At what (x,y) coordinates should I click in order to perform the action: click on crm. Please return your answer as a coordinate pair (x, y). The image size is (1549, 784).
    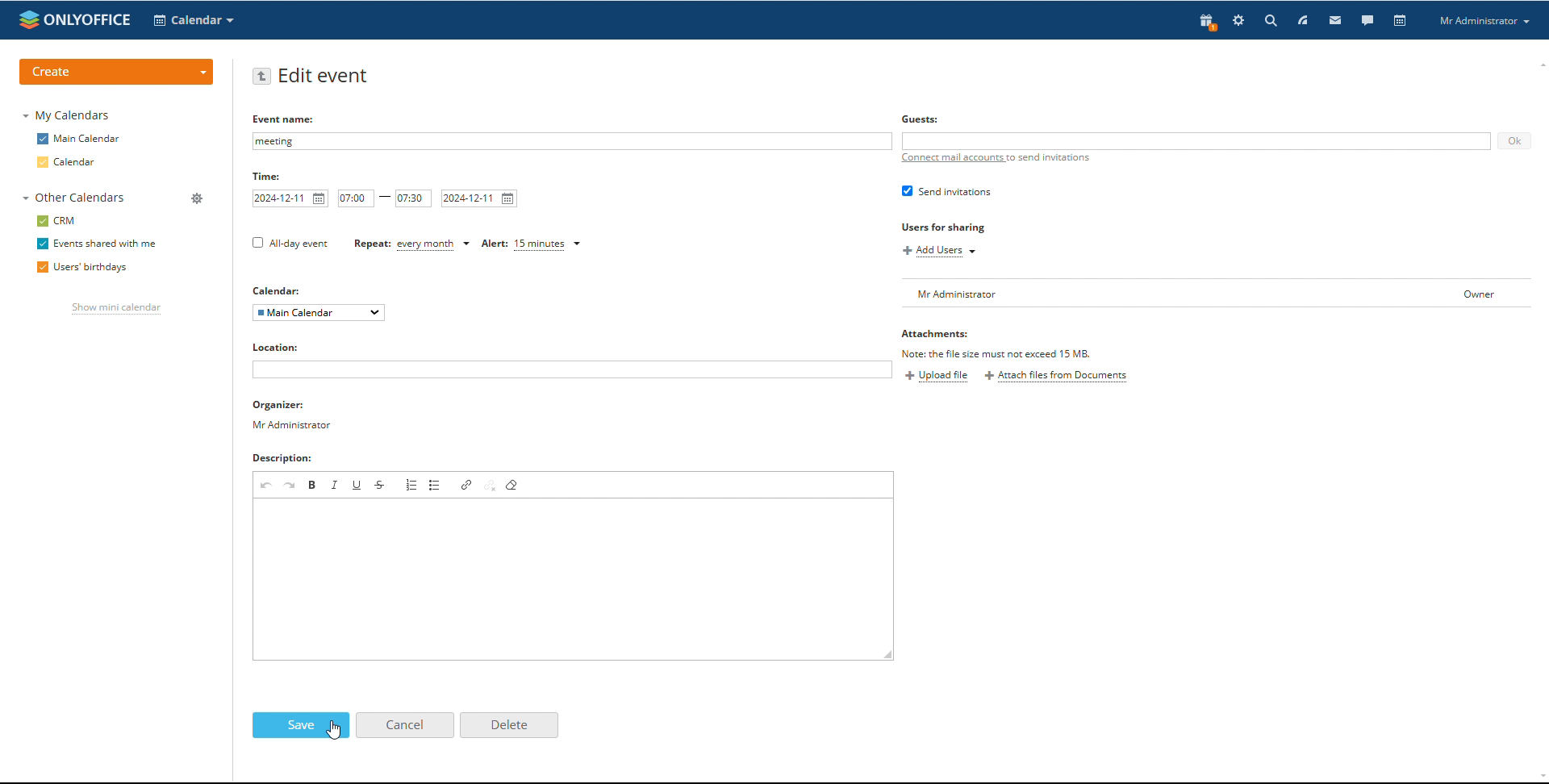
    Looking at the image, I should click on (56, 221).